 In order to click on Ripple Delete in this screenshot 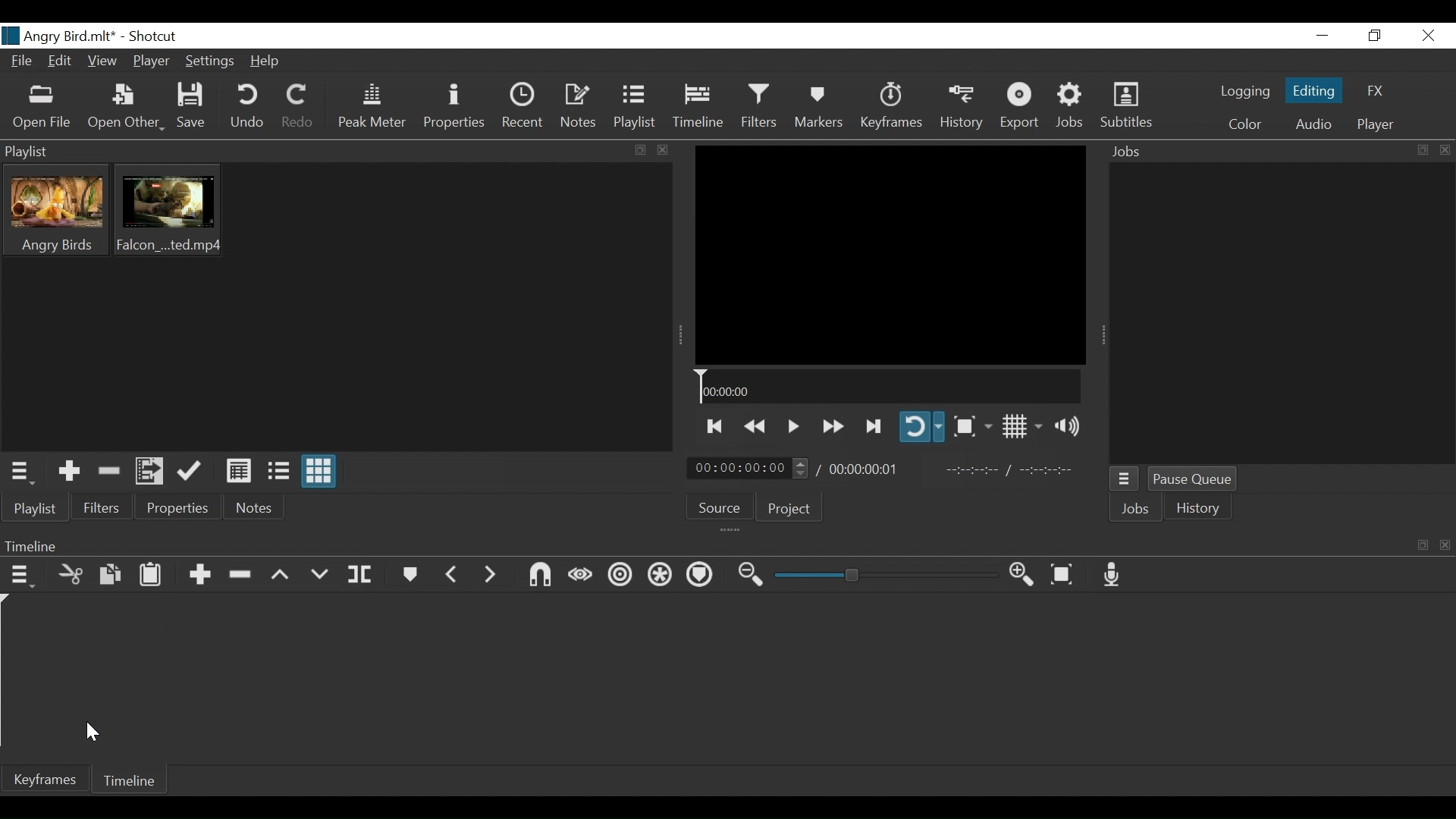, I will do `click(239, 576)`.